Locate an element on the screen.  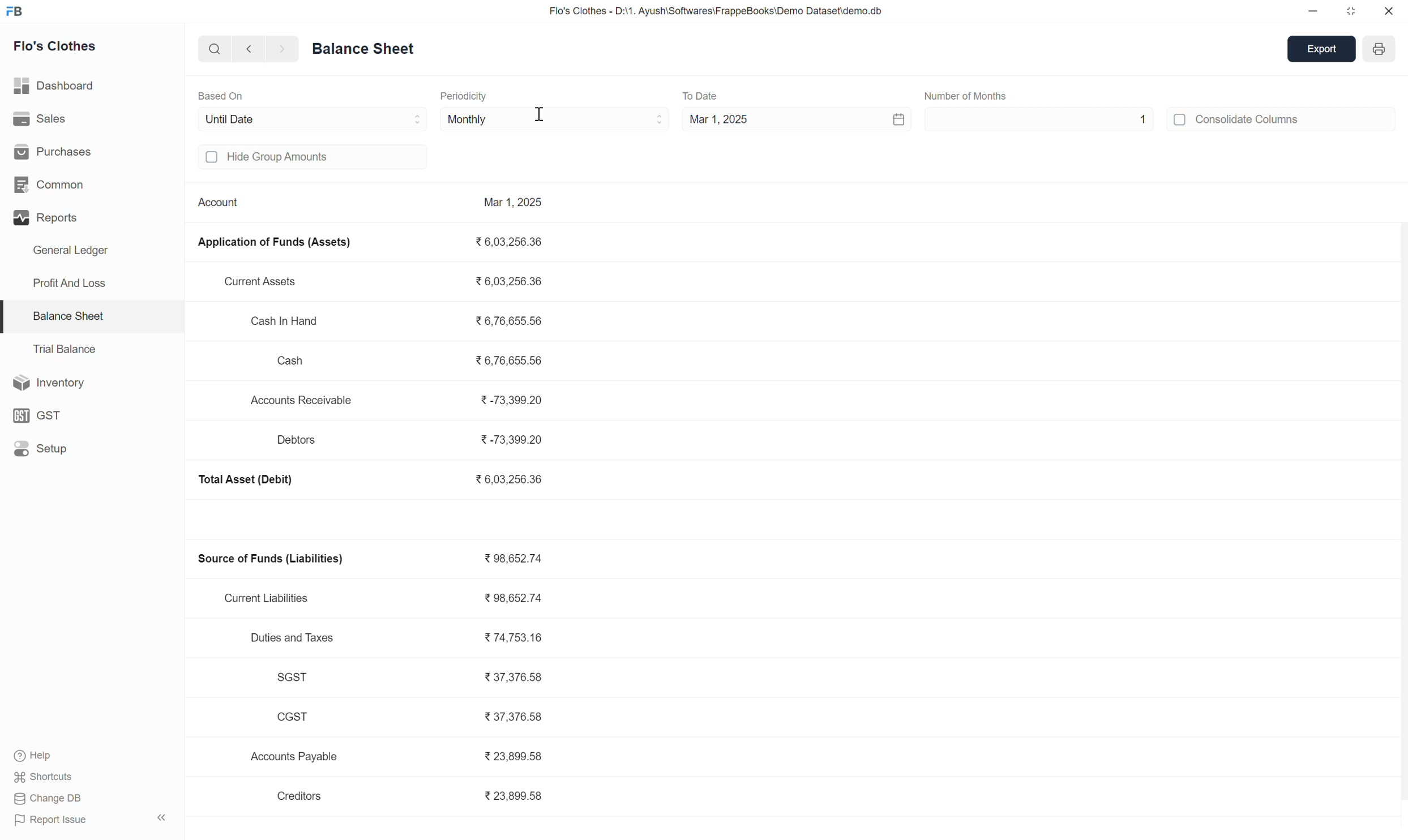
Accounts Receivable %-73,399.20 is located at coordinates (400, 400).